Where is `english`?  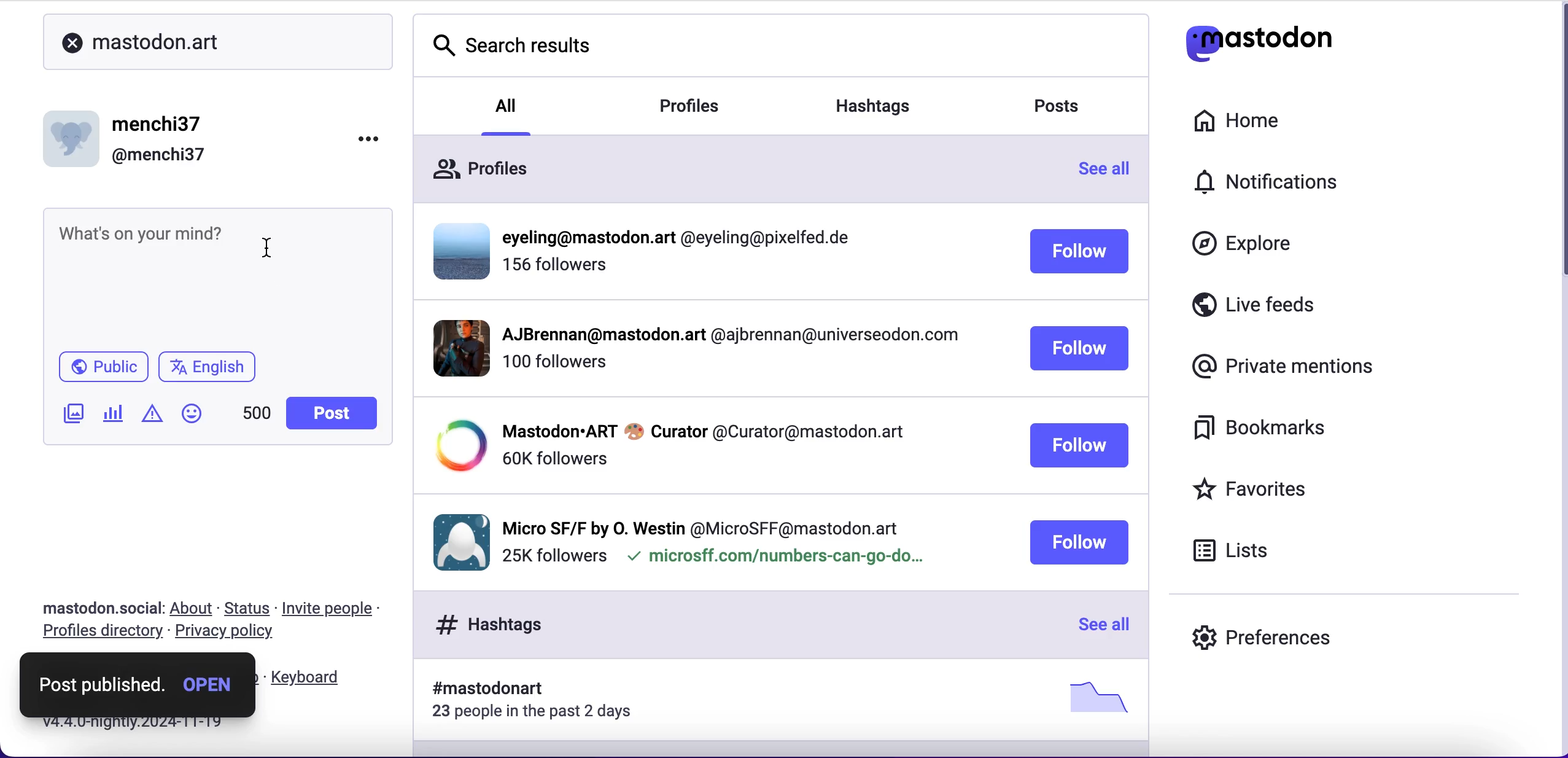
english is located at coordinates (210, 367).